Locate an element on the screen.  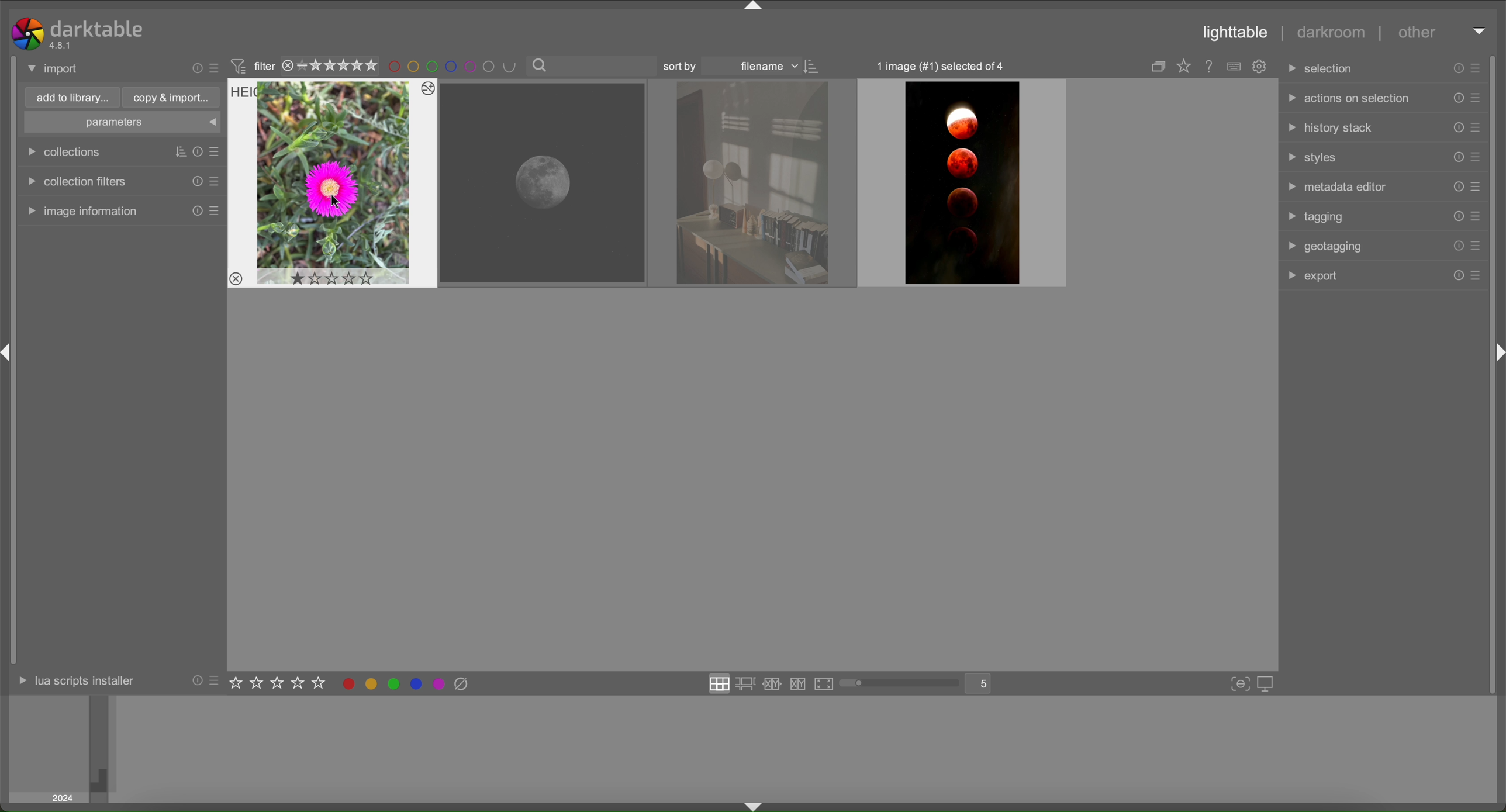
reset presets is located at coordinates (195, 151).